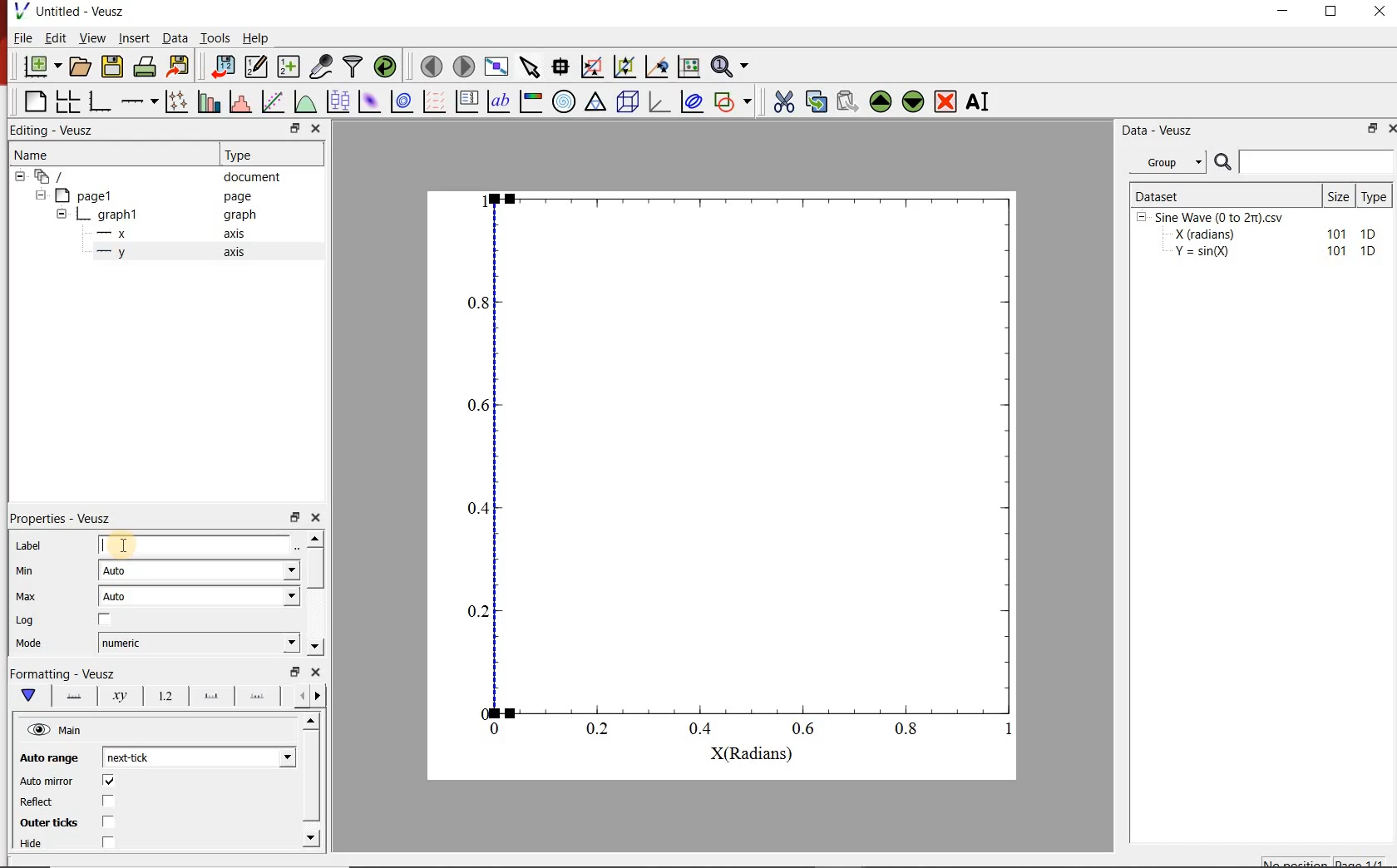  I want to click on plot 2d dataset as image, so click(370, 101).